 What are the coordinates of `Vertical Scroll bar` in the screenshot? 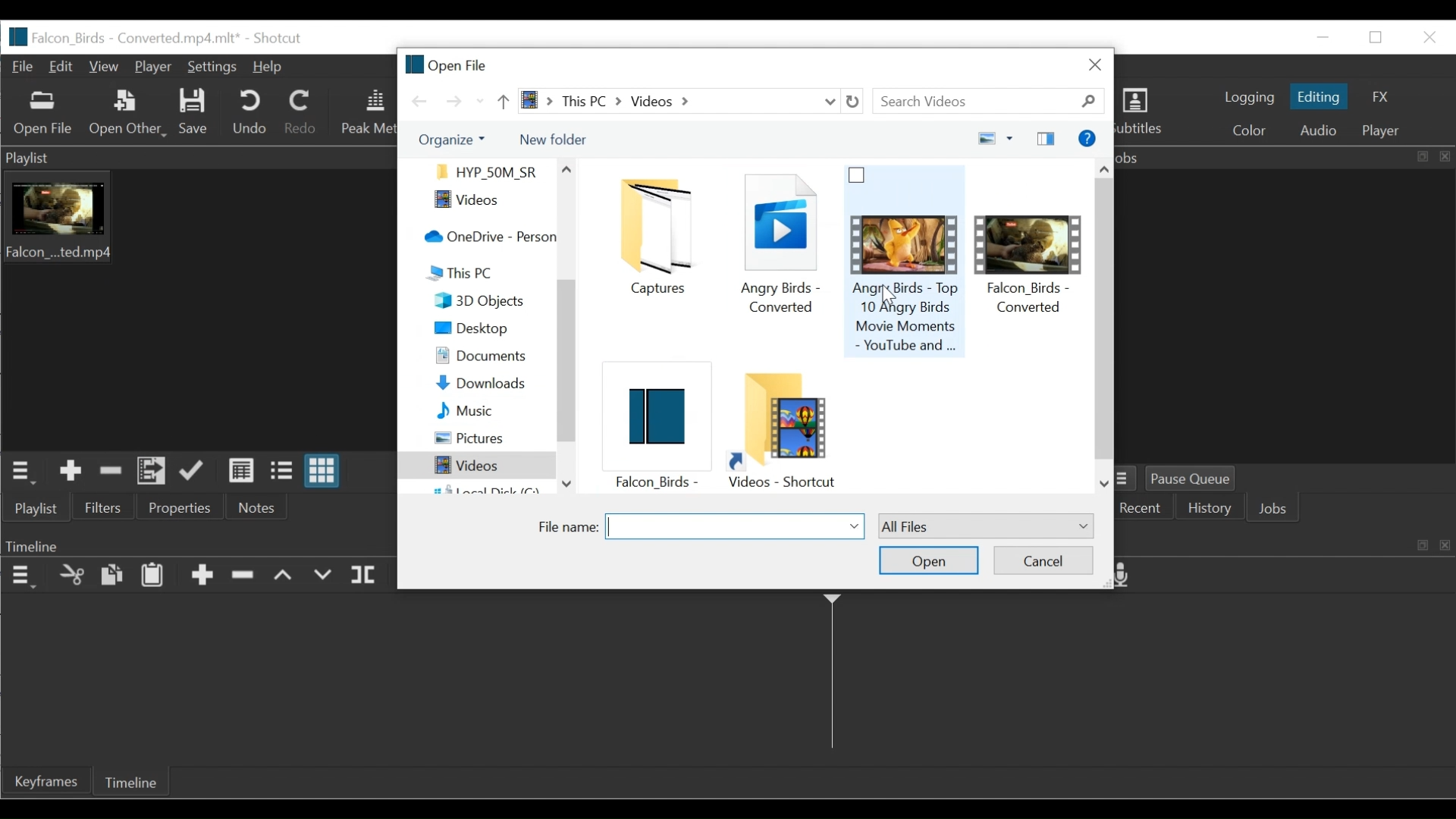 It's located at (1104, 316).